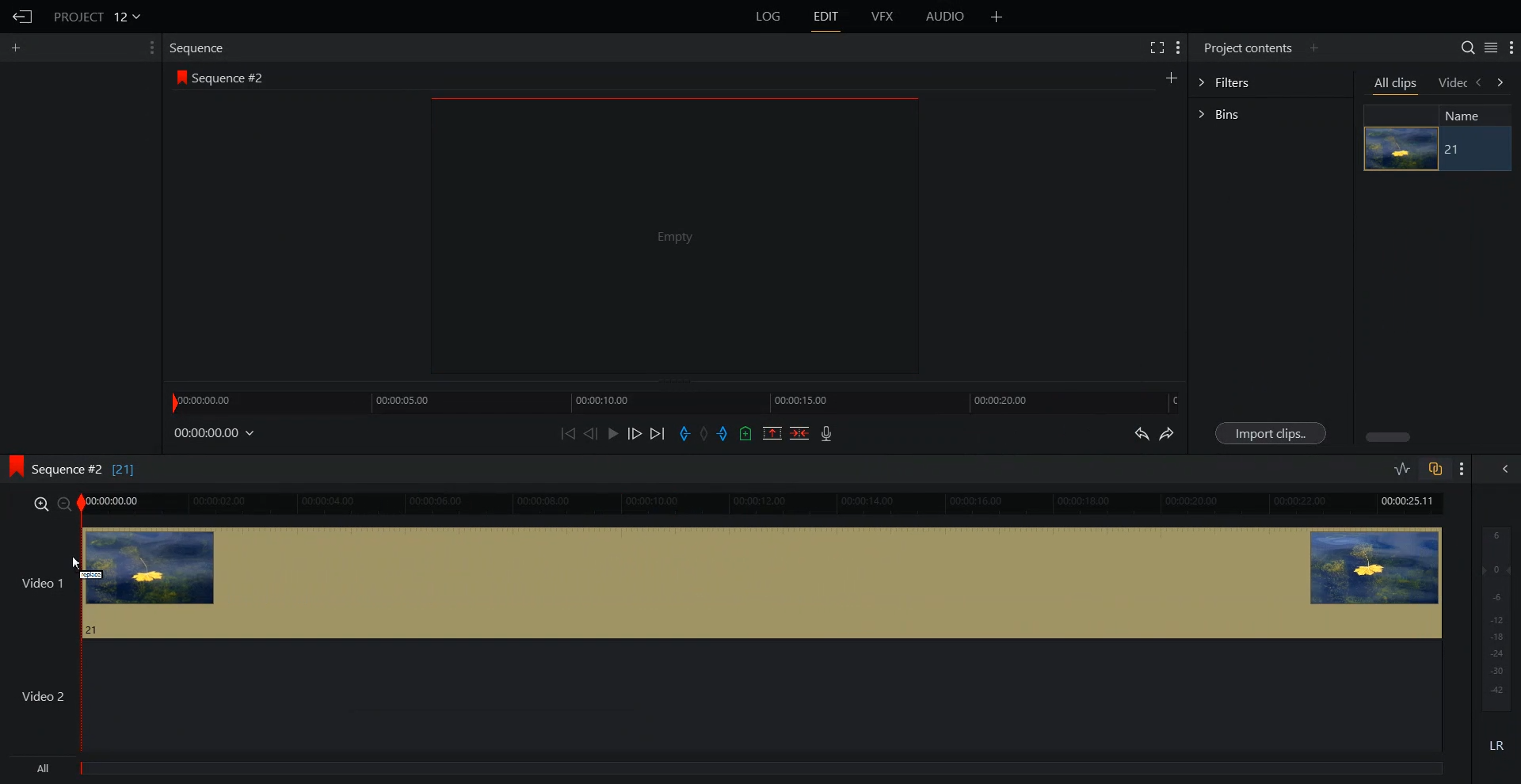 This screenshot has height=784, width=1521. Describe the element at coordinates (1269, 433) in the screenshot. I see `Import clips` at that location.